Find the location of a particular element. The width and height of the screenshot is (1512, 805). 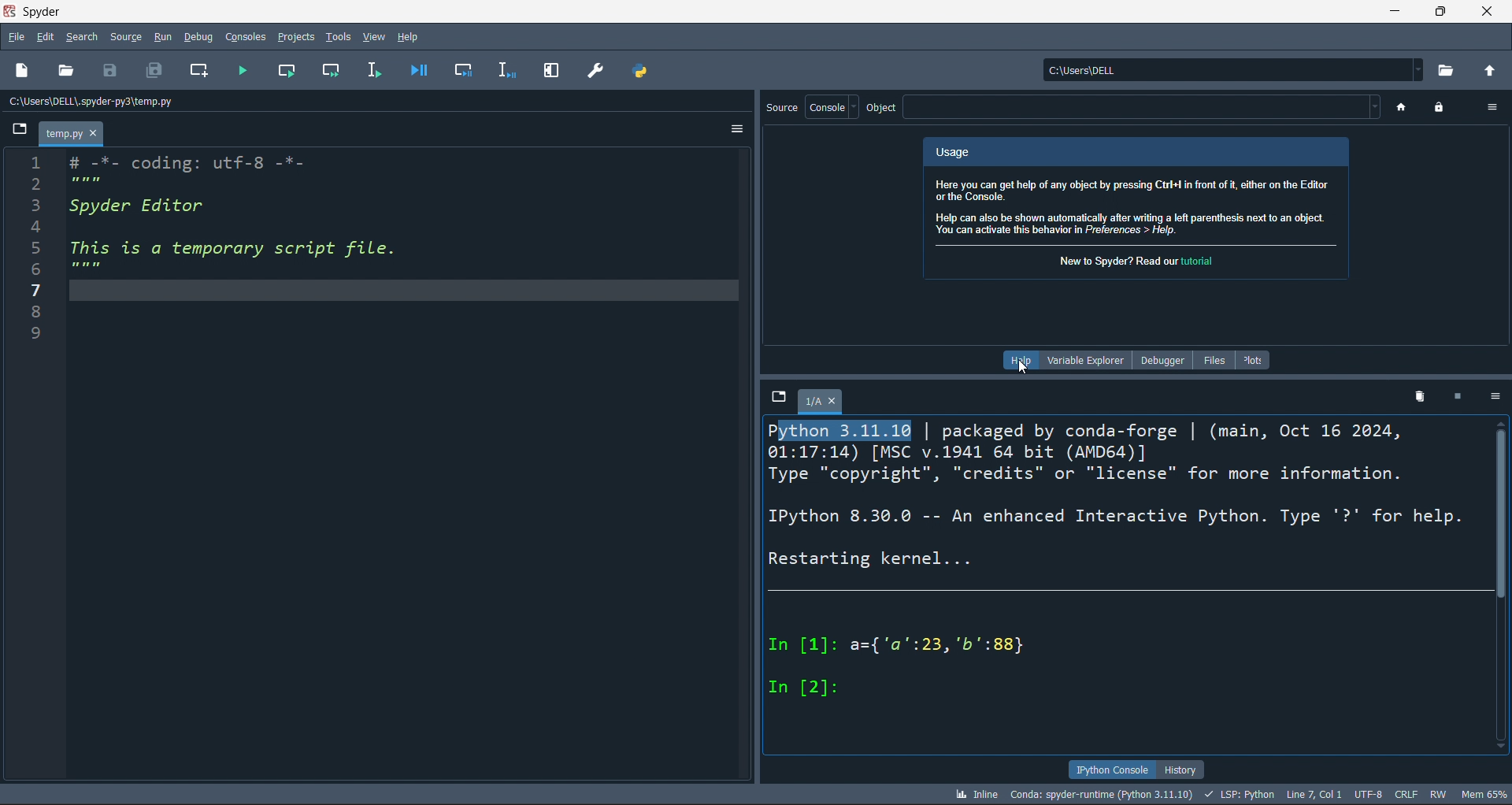

spyder is located at coordinates (57, 11).